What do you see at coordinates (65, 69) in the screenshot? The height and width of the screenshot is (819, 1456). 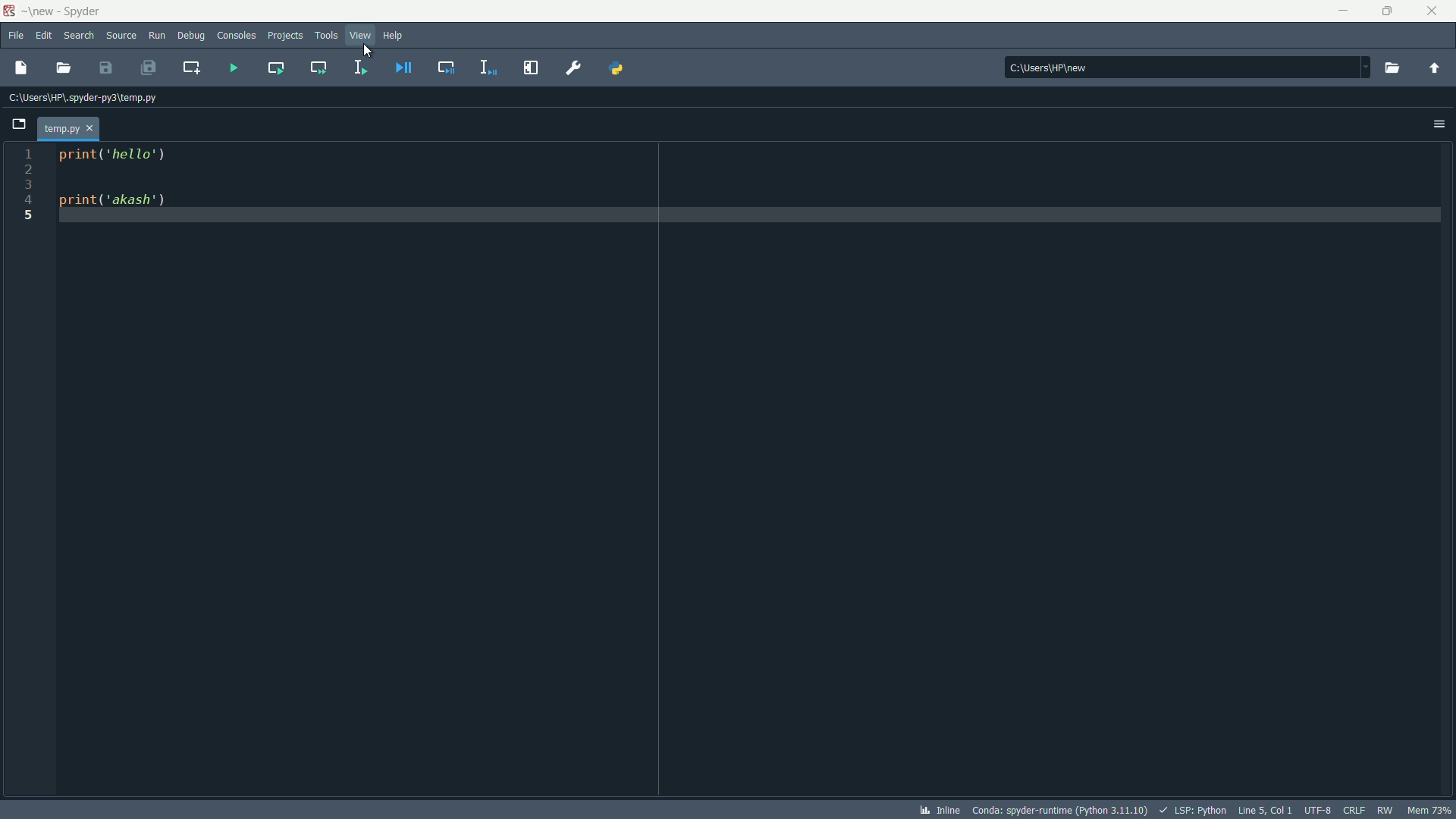 I see `open file` at bounding box center [65, 69].